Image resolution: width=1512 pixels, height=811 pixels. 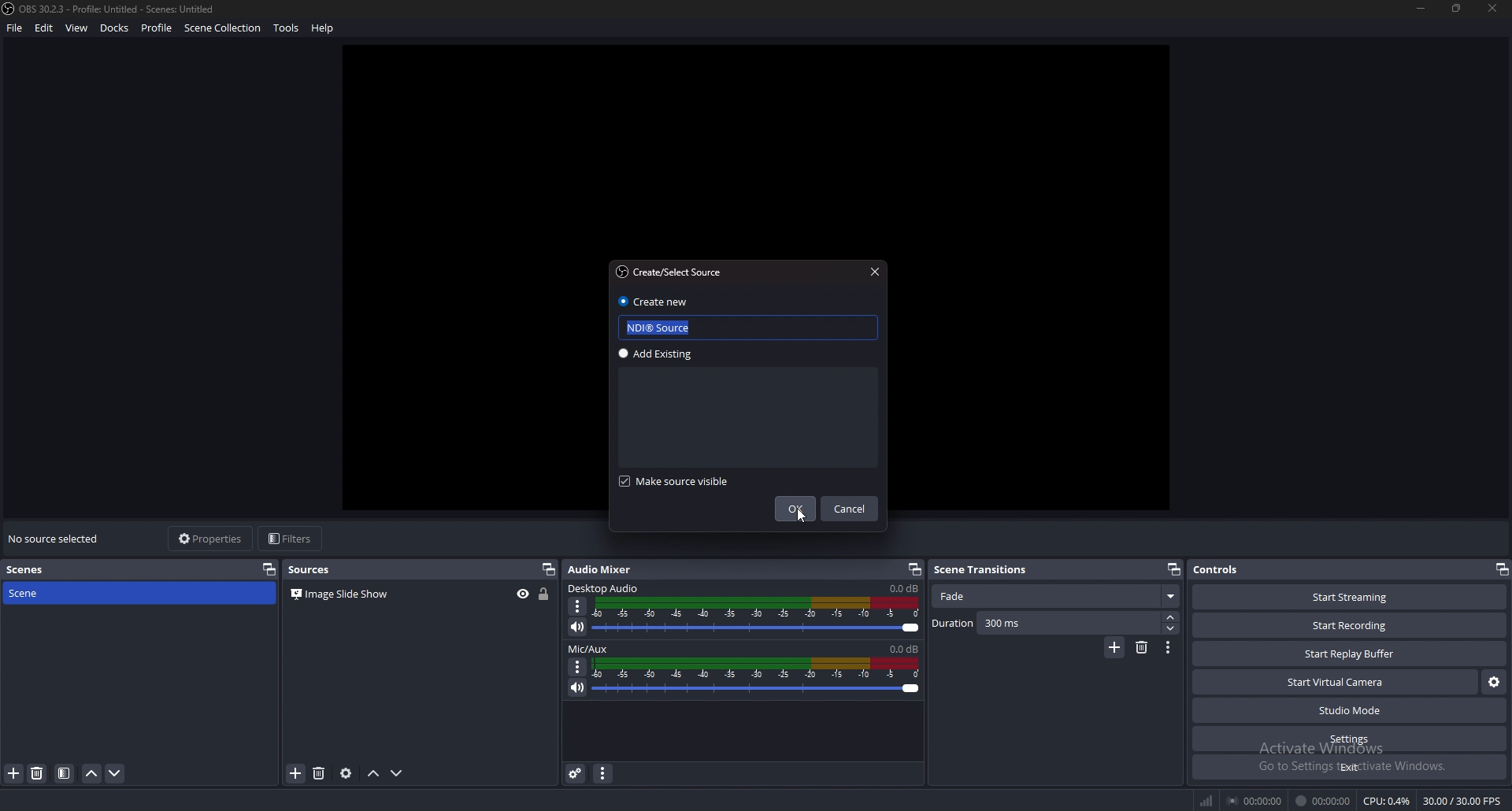 What do you see at coordinates (606, 587) in the screenshot?
I see `desktop audio` at bounding box center [606, 587].